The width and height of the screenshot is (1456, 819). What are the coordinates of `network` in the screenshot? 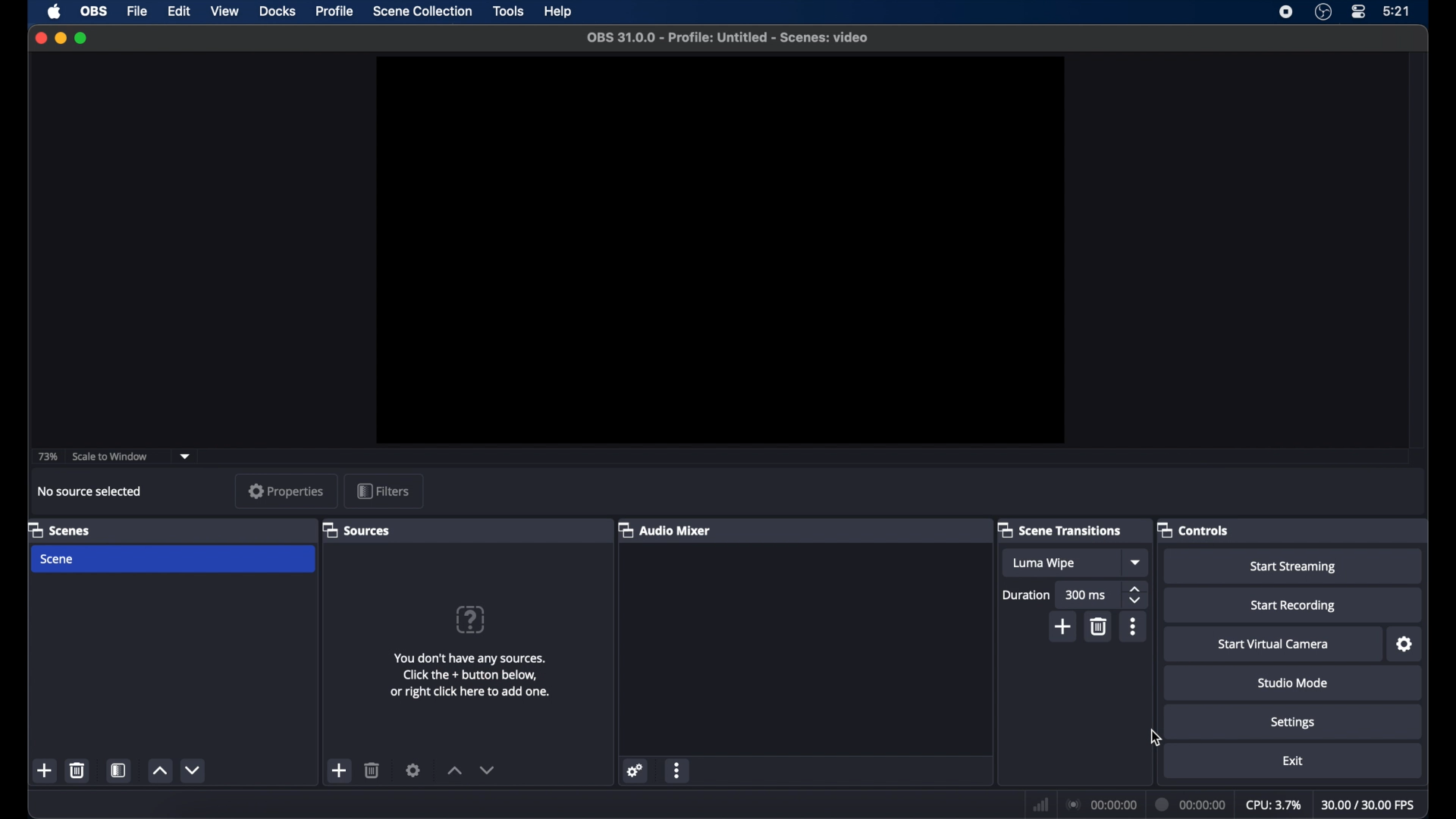 It's located at (1040, 804).